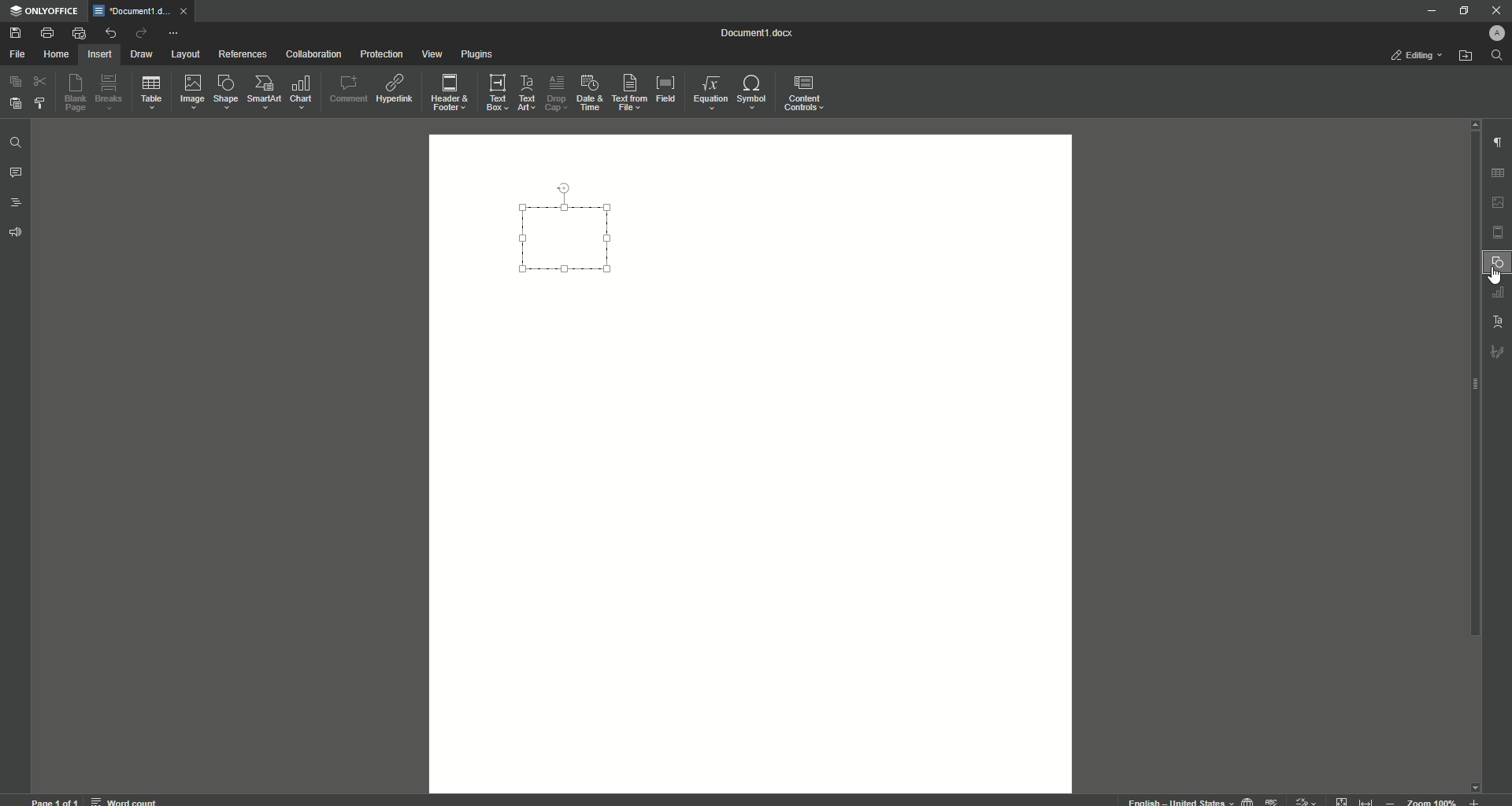 This screenshot has width=1512, height=806. Describe the element at coordinates (1343, 800) in the screenshot. I see `fit to page` at that location.